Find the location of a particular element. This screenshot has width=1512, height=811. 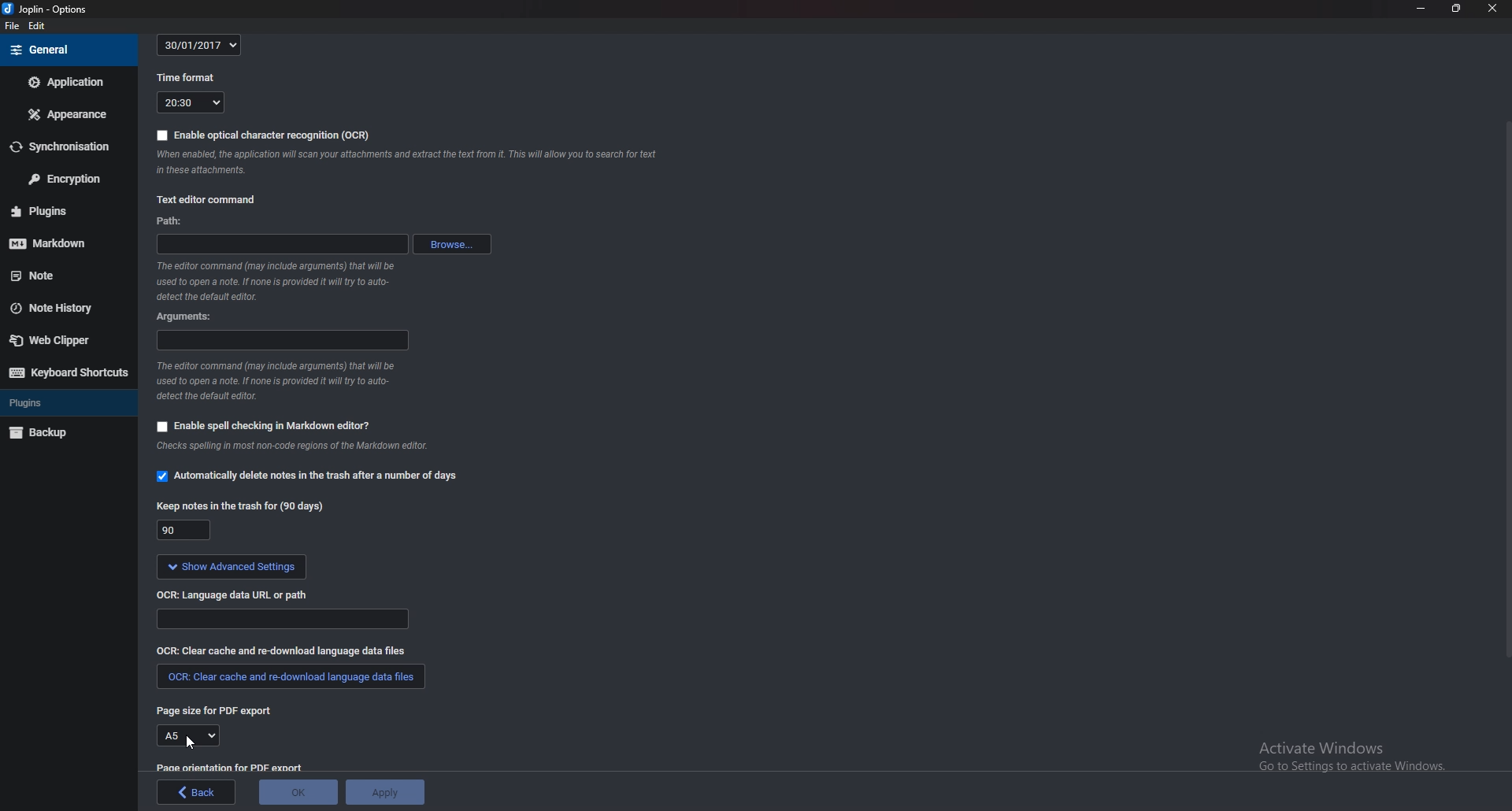

Plugins is located at coordinates (55, 212).